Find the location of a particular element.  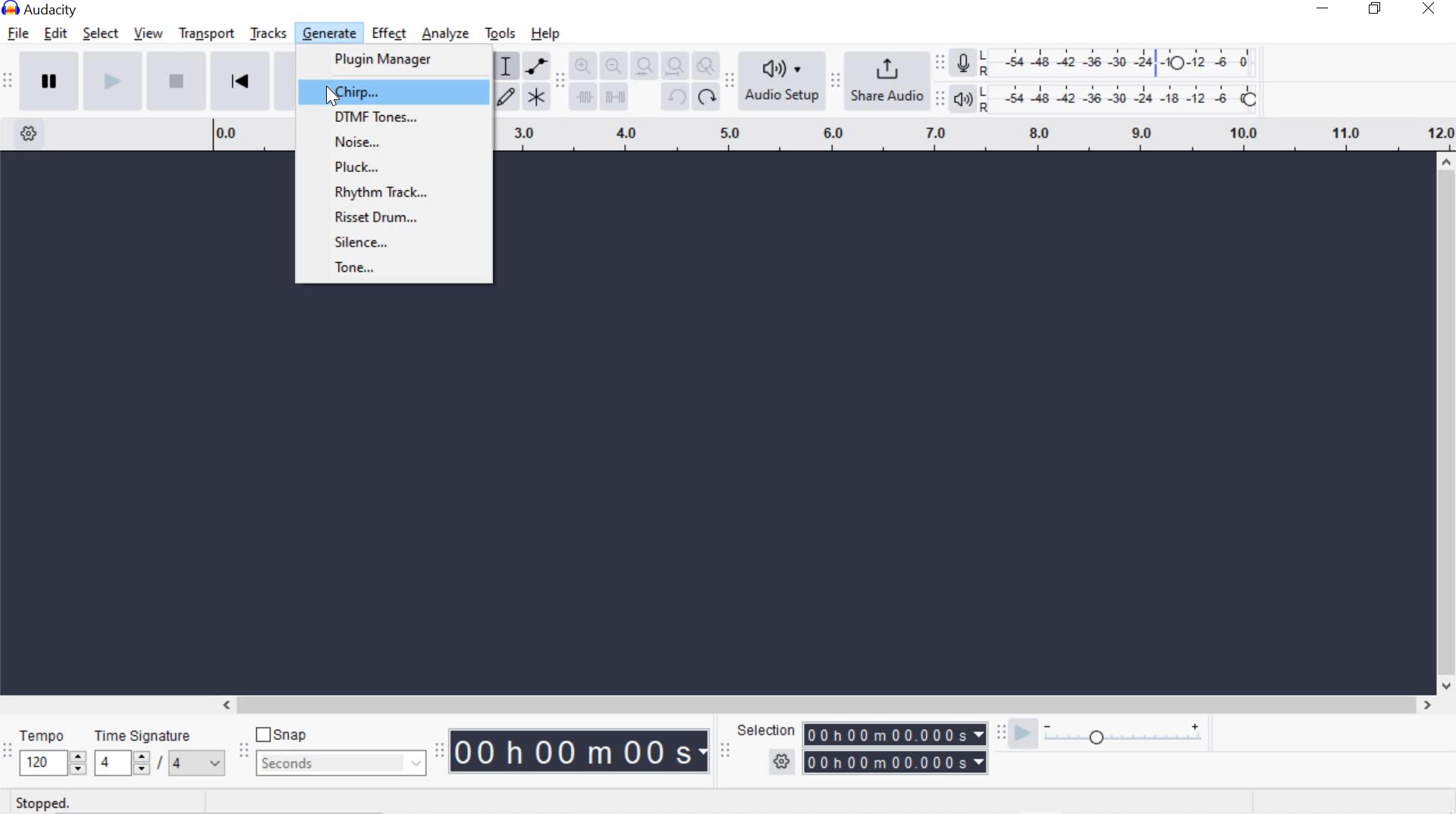

Transport toolbar is located at coordinates (8, 82).